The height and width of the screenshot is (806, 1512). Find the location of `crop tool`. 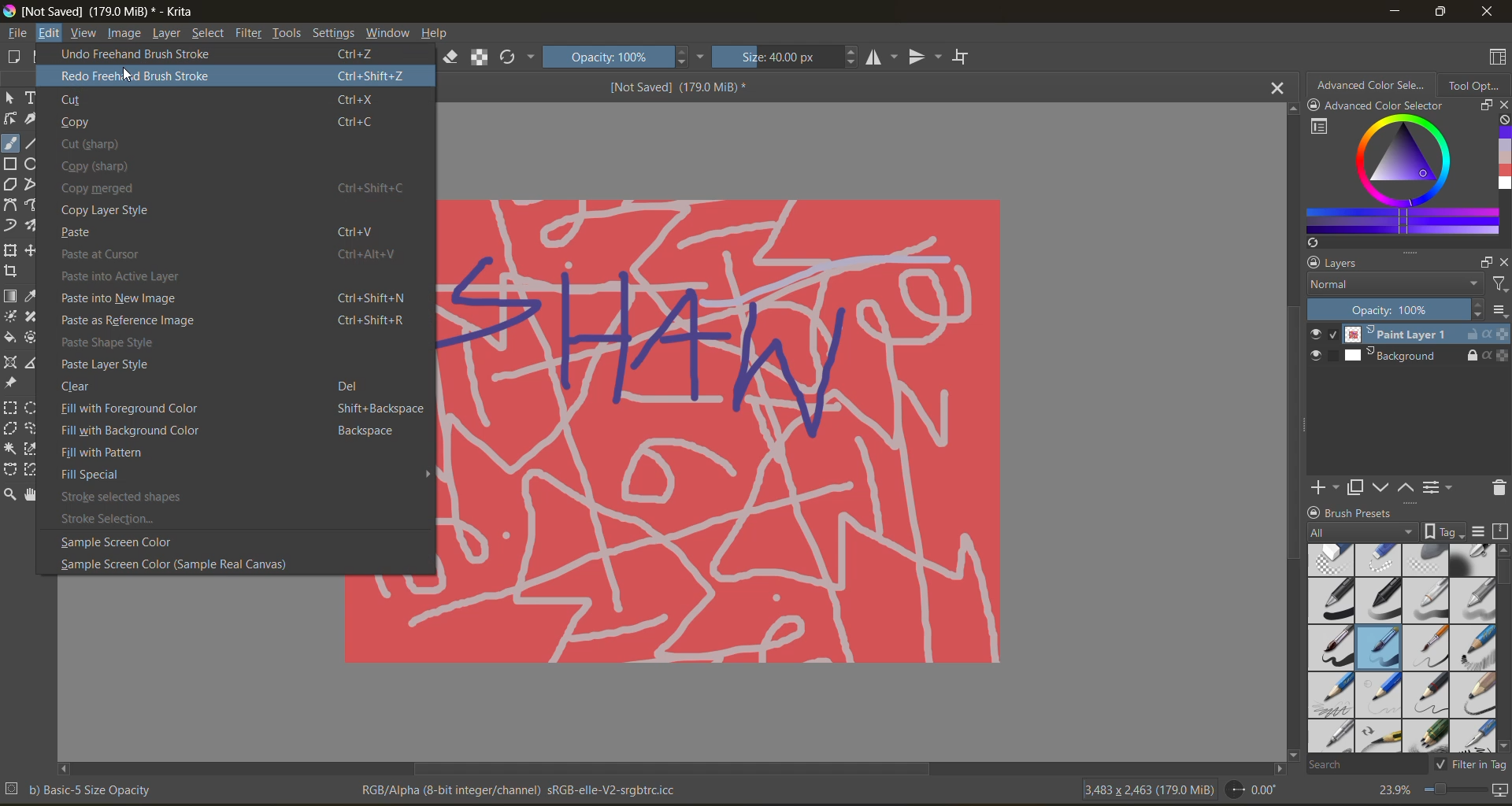

crop tool is located at coordinates (12, 272).